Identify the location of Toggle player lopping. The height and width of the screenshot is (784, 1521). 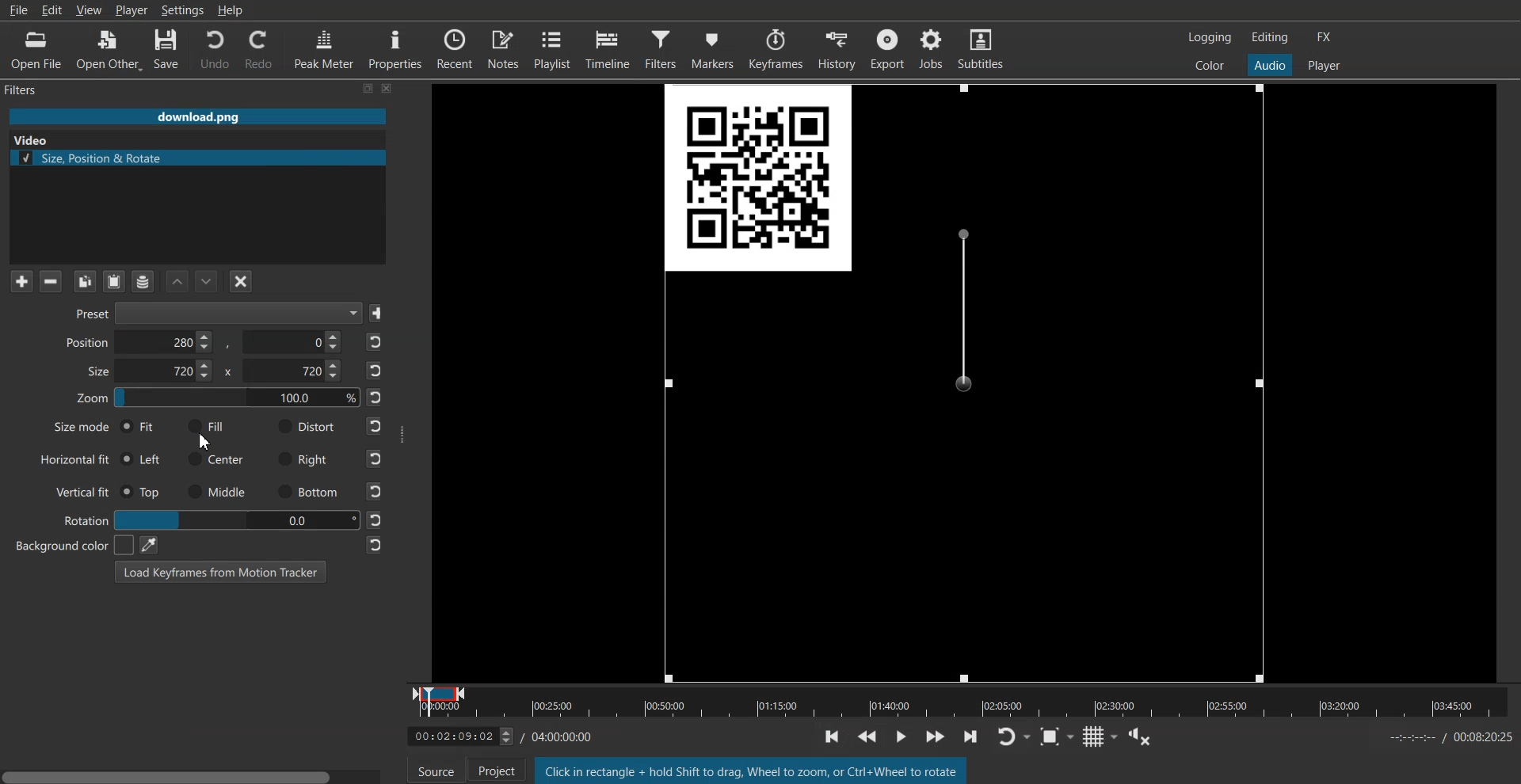
(1011, 736).